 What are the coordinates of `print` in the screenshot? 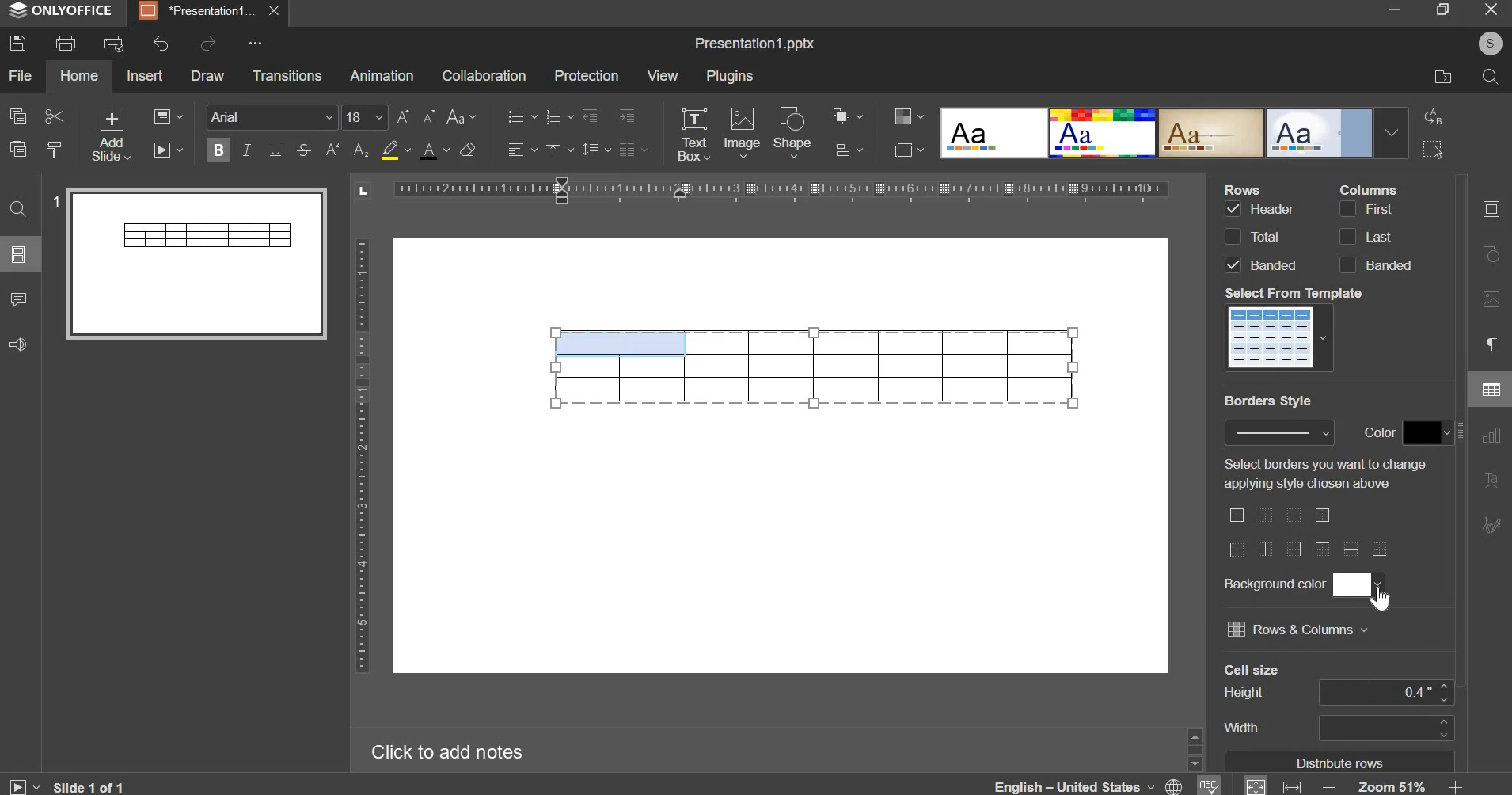 It's located at (66, 43).